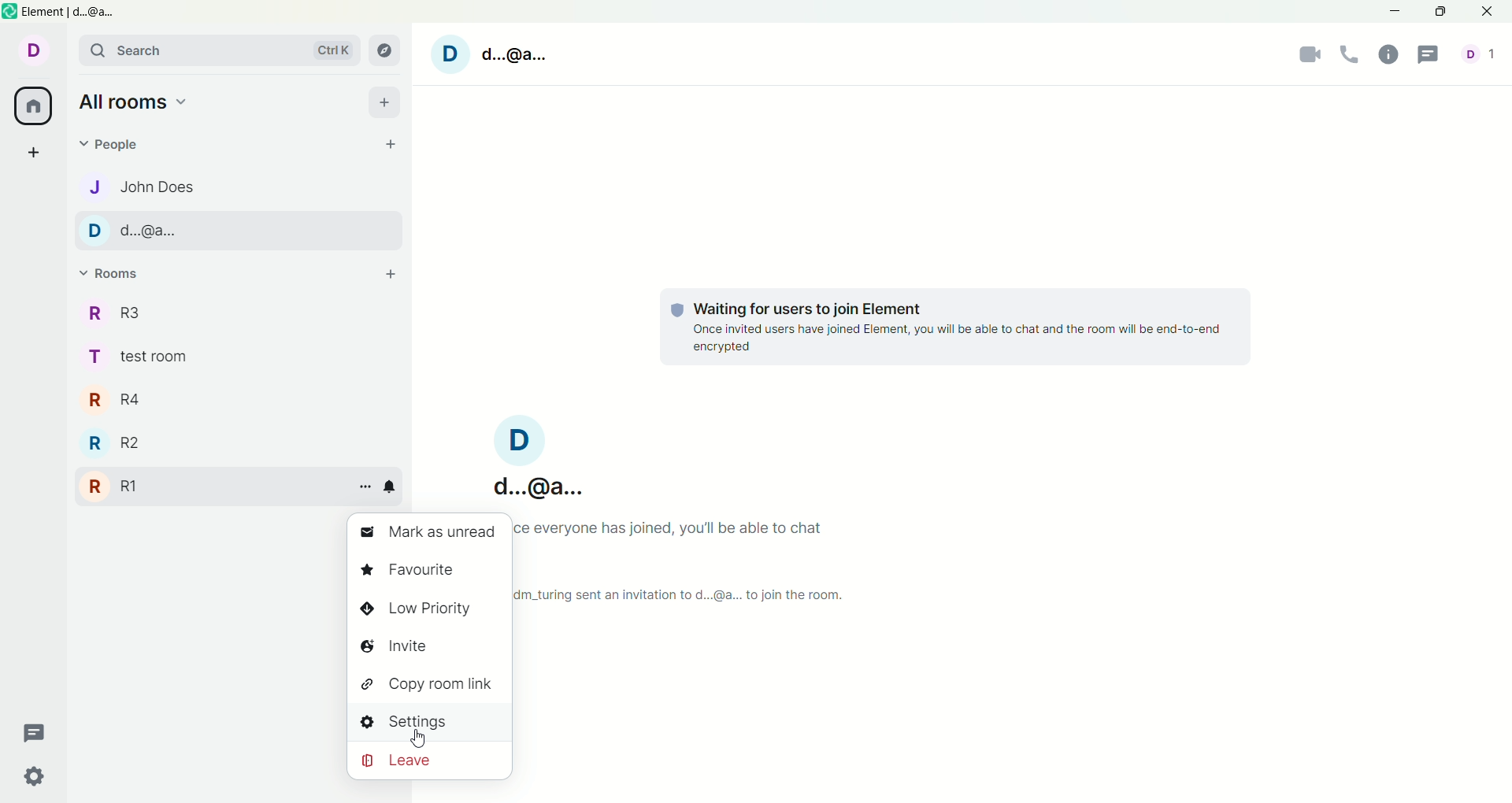 The image size is (1512, 803). I want to click on D d.@a., so click(498, 53).